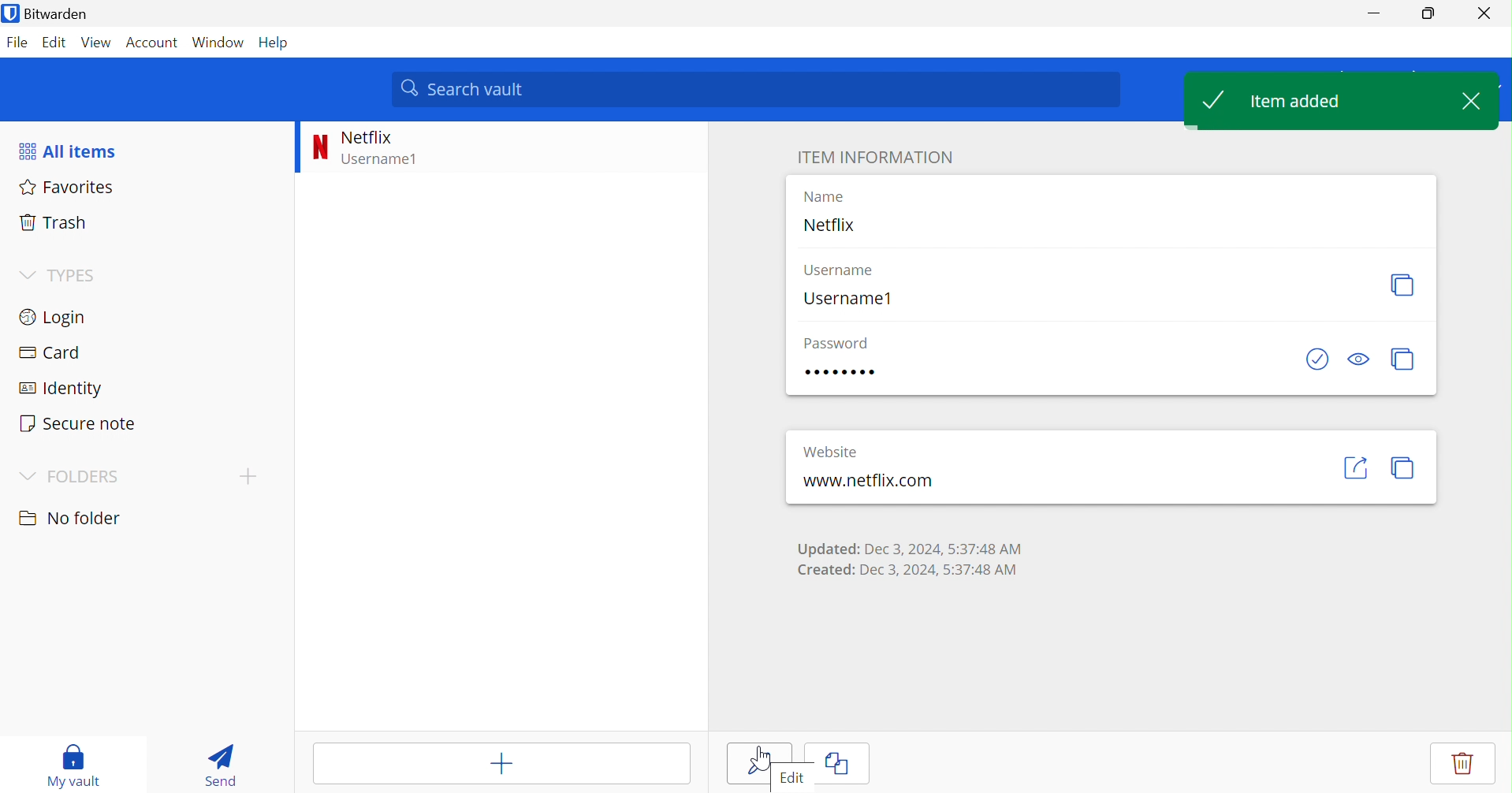 This screenshot has height=793, width=1512. Describe the element at coordinates (1472, 102) in the screenshot. I see `Close` at that location.